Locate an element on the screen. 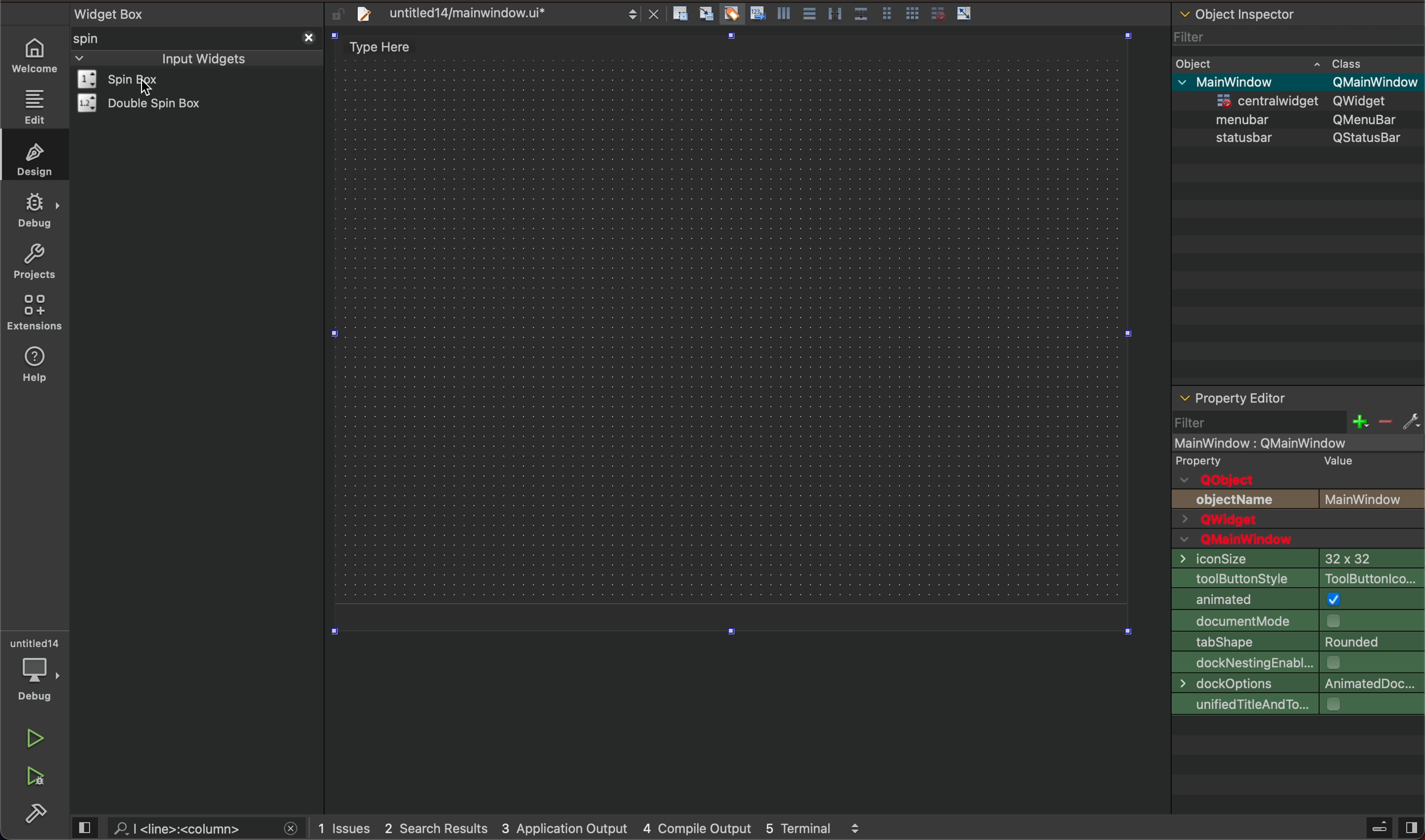 The height and width of the screenshot is (840, 1425). design area is located at coordinates (727, 333).